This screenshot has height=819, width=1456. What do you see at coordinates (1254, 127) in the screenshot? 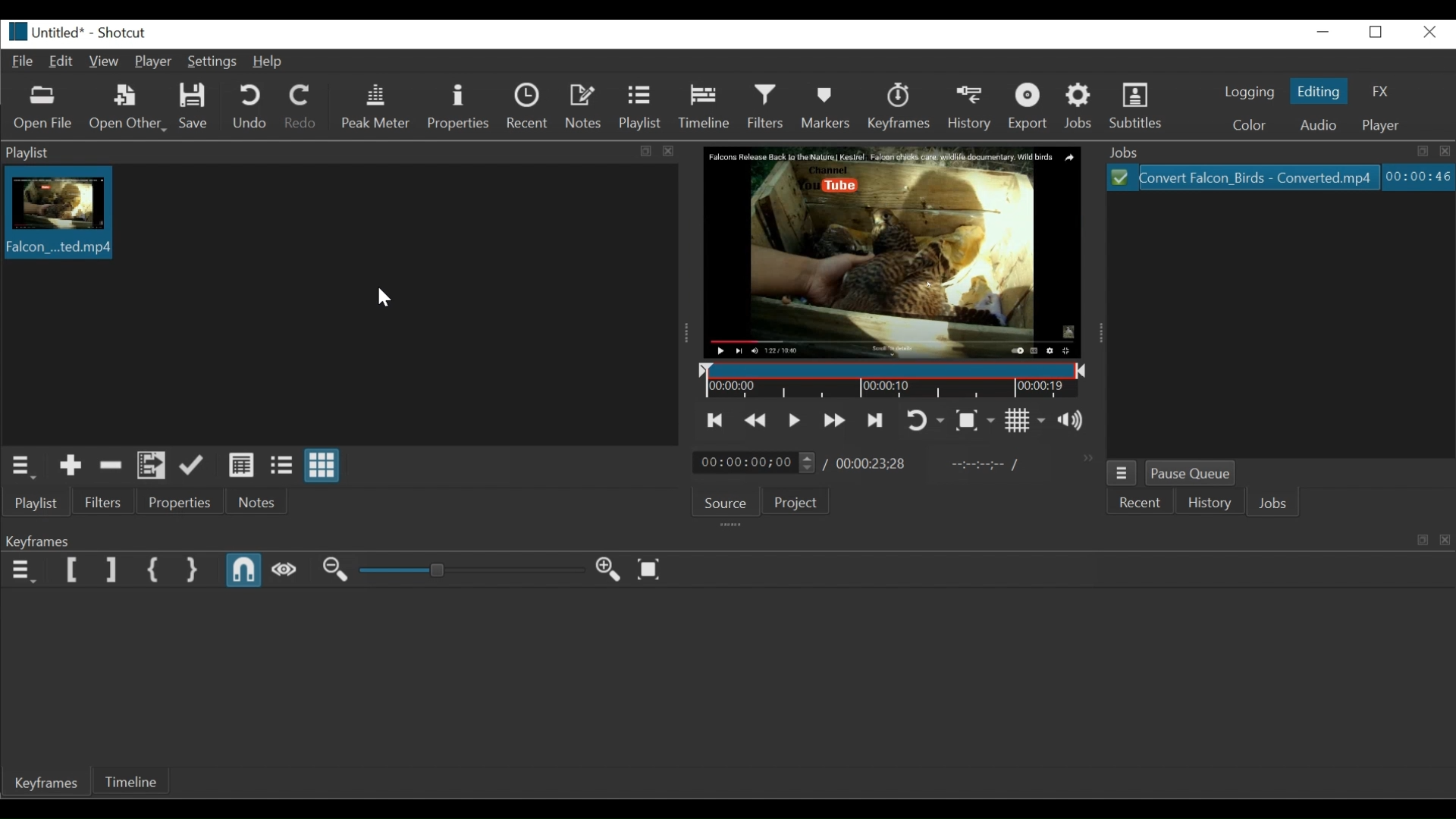
I see `Color` at bounding box center [1254, 127].